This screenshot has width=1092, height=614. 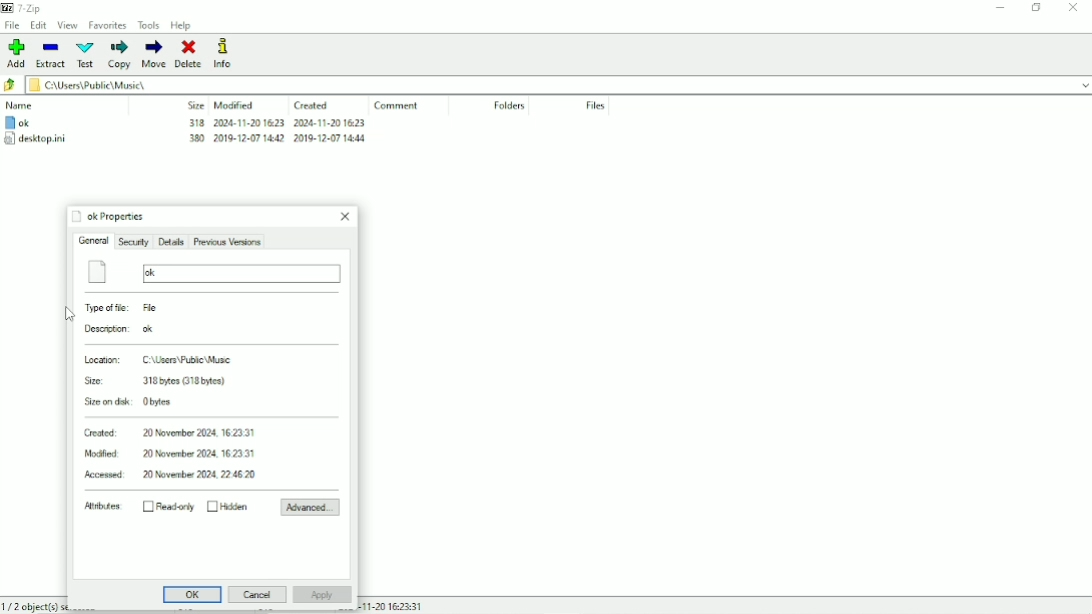 I want to click on Description, so click(x=125, y=330).